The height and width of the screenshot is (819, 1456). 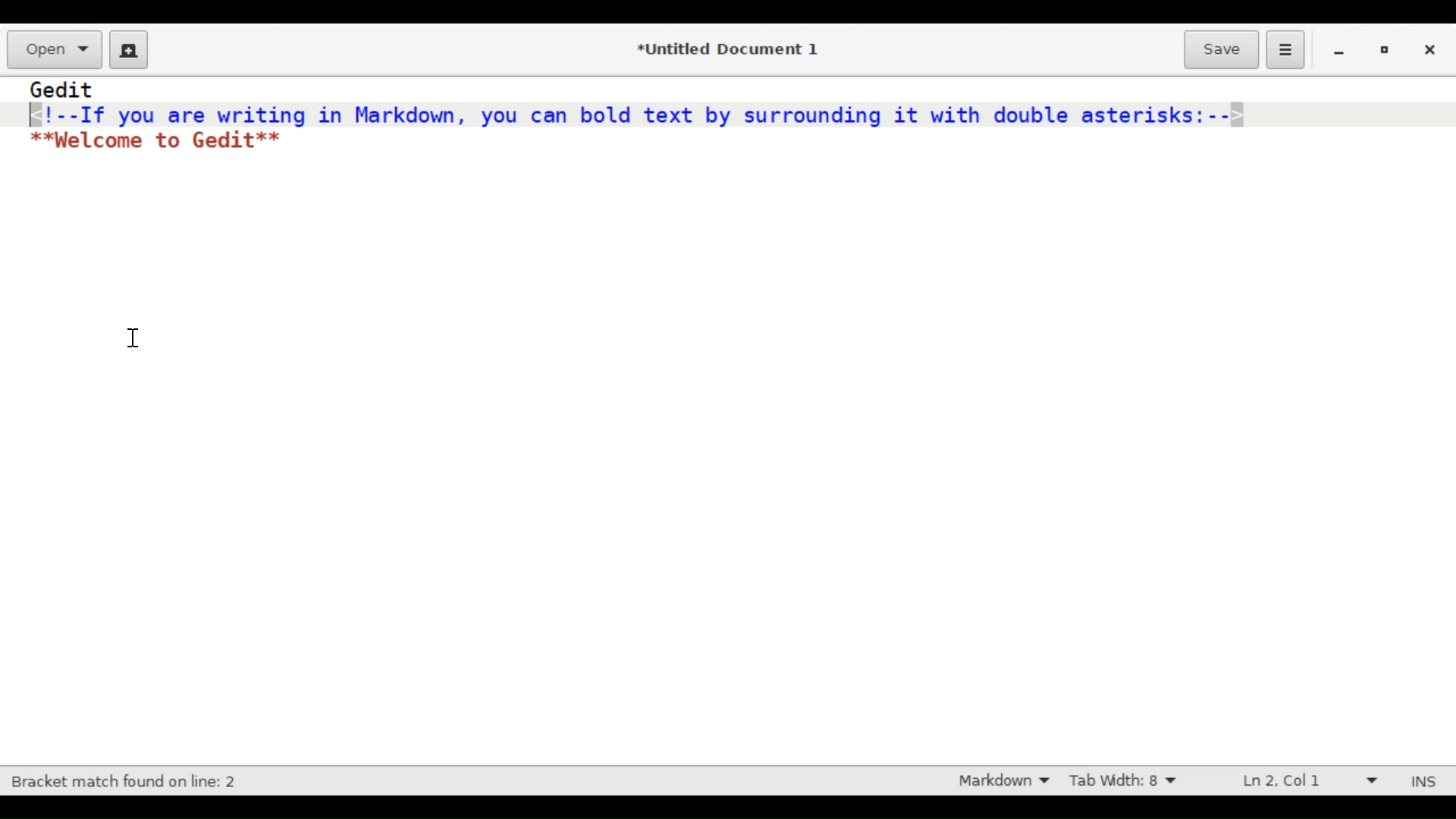 What do you see at coordinates (63, 89) in the screenshot?
I see `Gedit` at bounding box center [63, 89].